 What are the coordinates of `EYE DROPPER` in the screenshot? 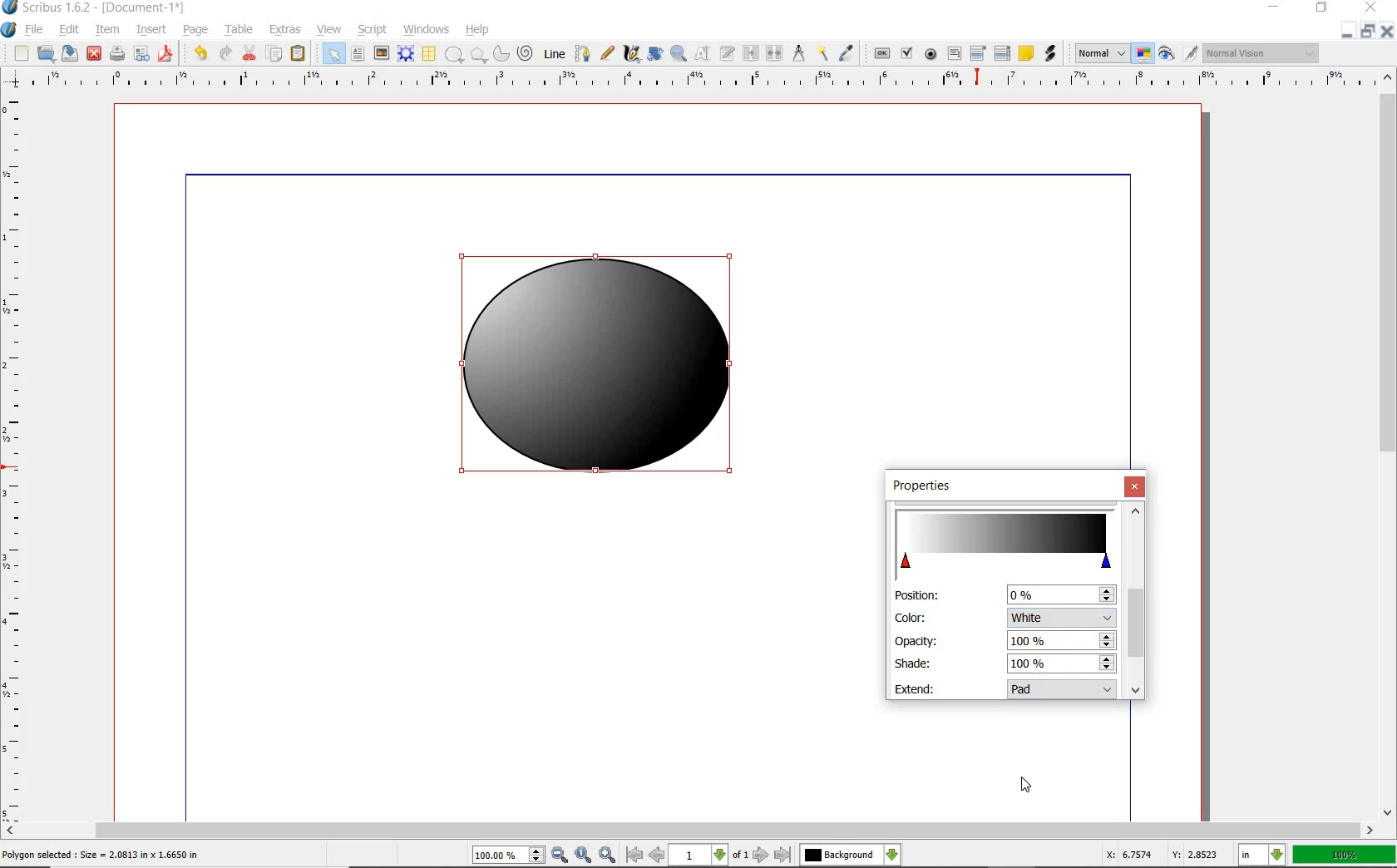 It's located at (847, 54).